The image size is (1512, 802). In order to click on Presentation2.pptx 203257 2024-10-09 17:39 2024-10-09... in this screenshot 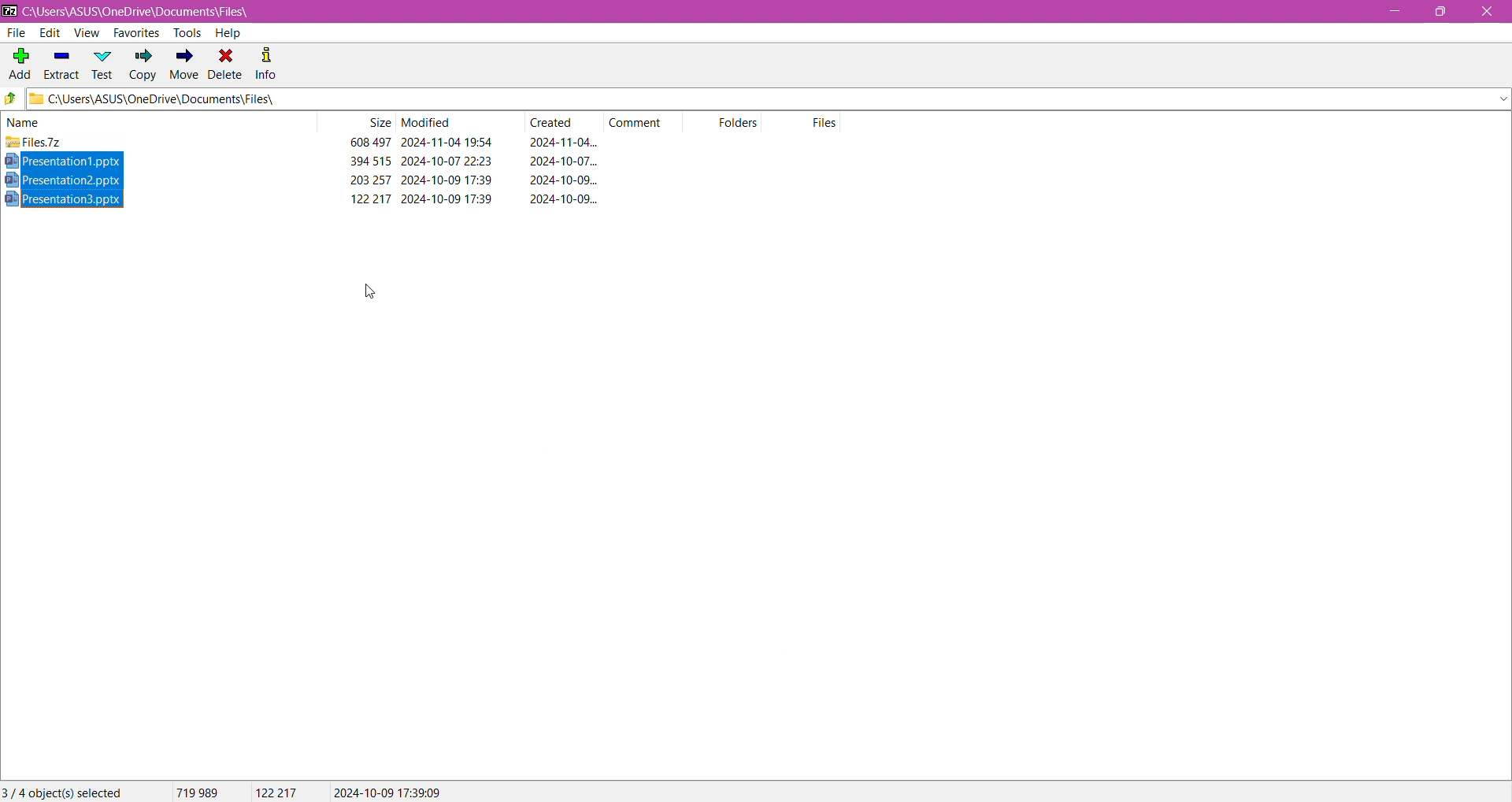, I will do `click(312, 180)`.